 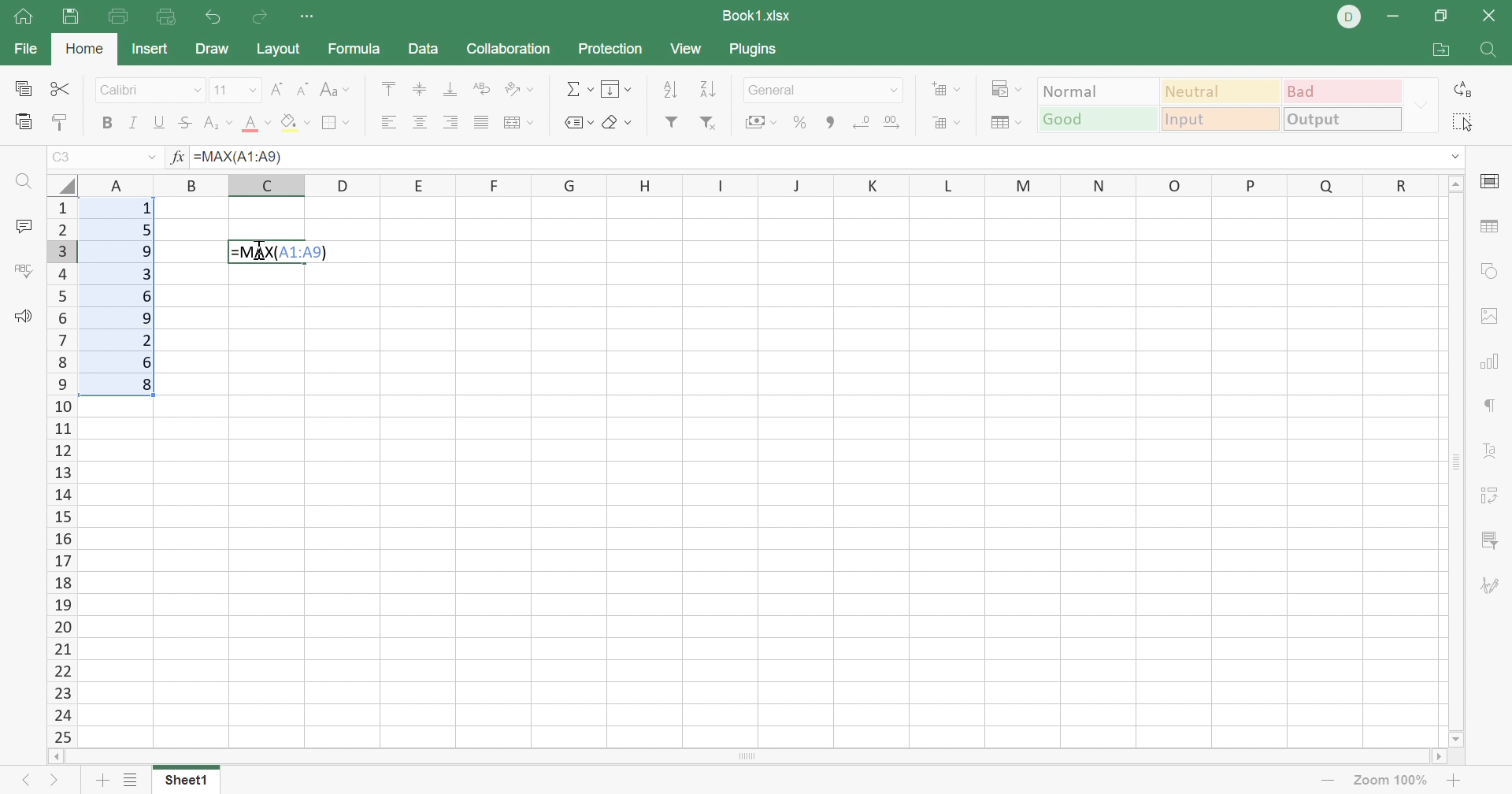 What do you see at coordinates (1442, 17) in the screenshot?
I see `Restore Down` at bounding box center [1442, 17].